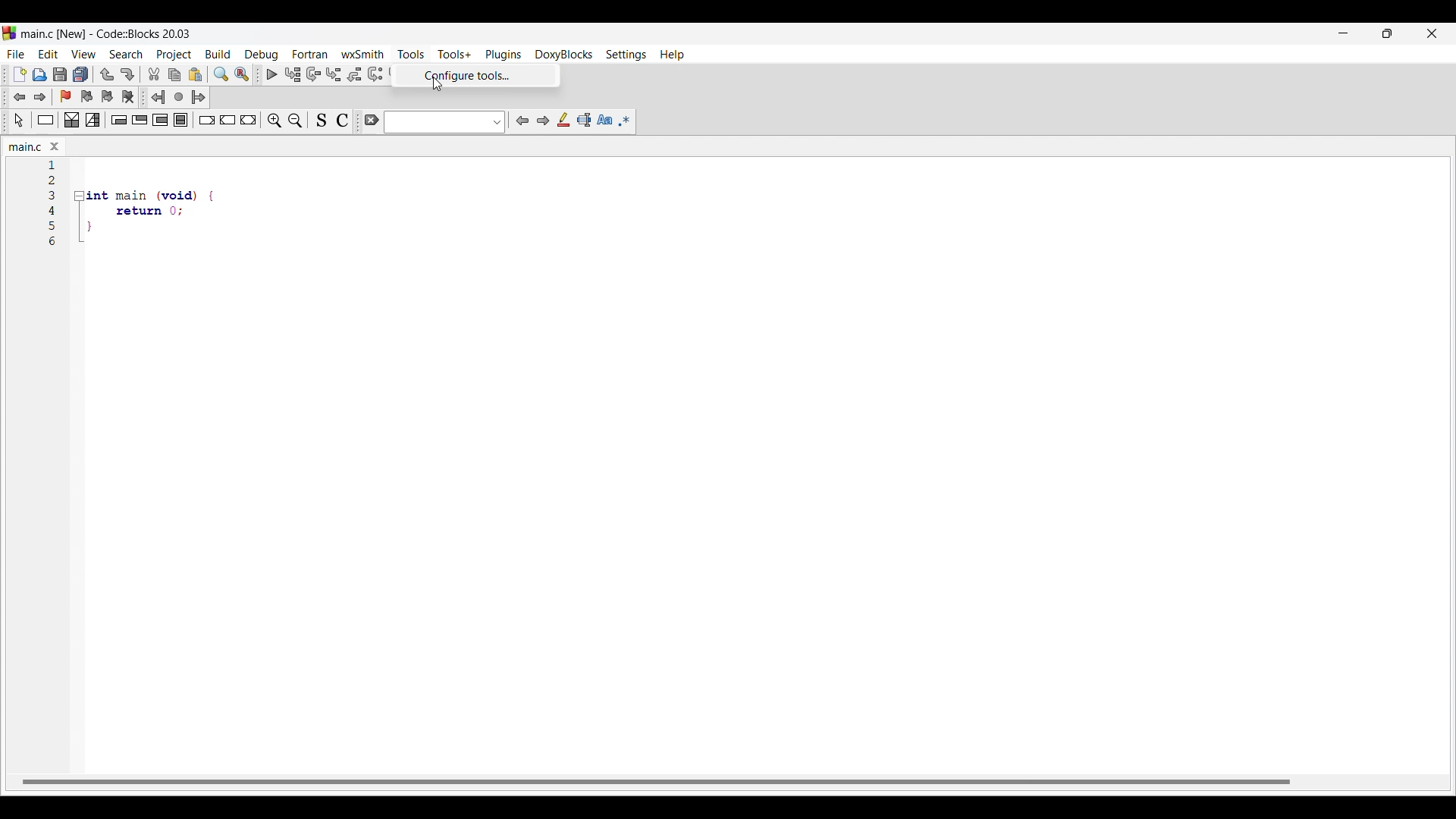  Describe the element at coordinates (80, 74) in the screenshot. I see `Save everything` at that location.